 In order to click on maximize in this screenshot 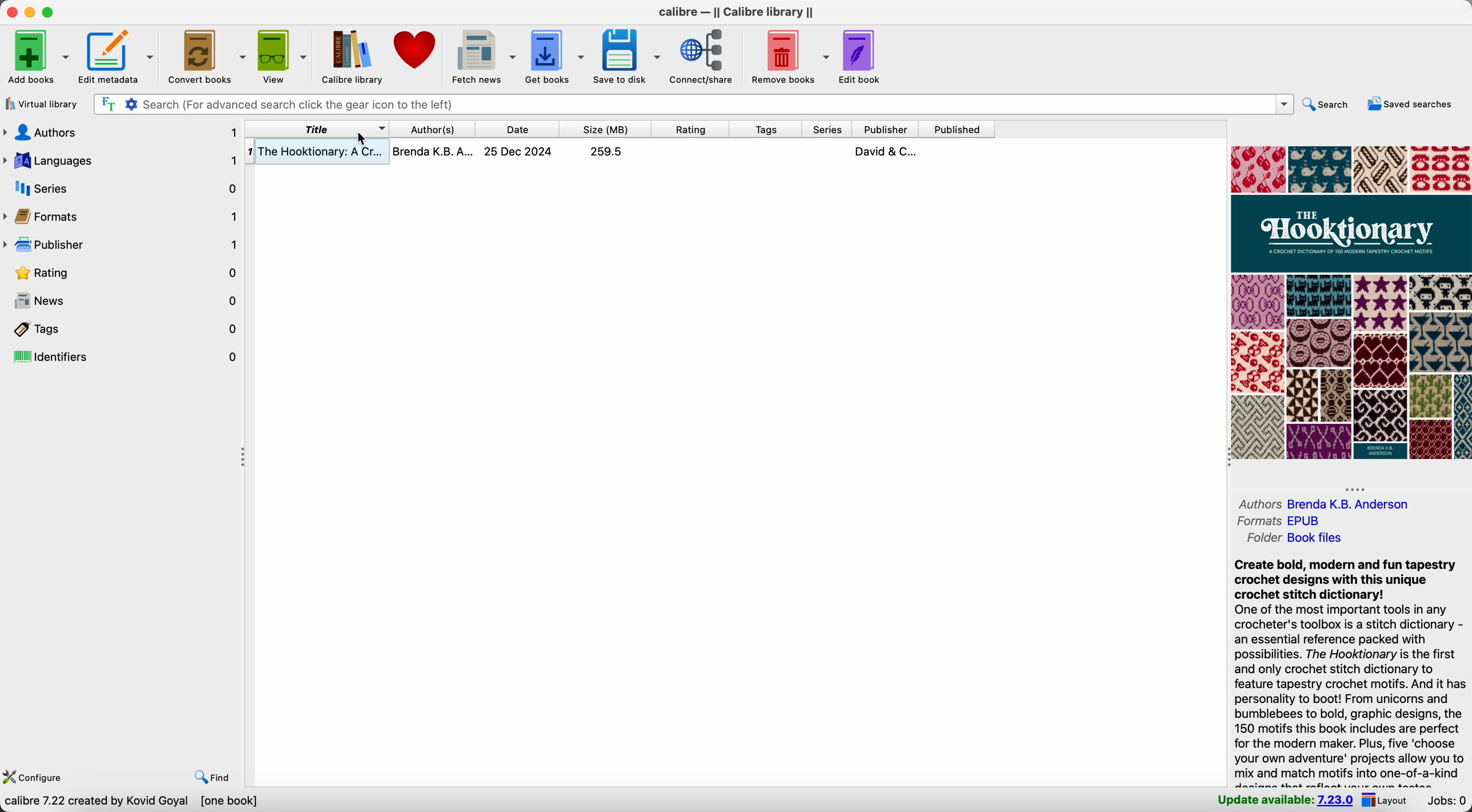, I will do `click(51, 12)`.